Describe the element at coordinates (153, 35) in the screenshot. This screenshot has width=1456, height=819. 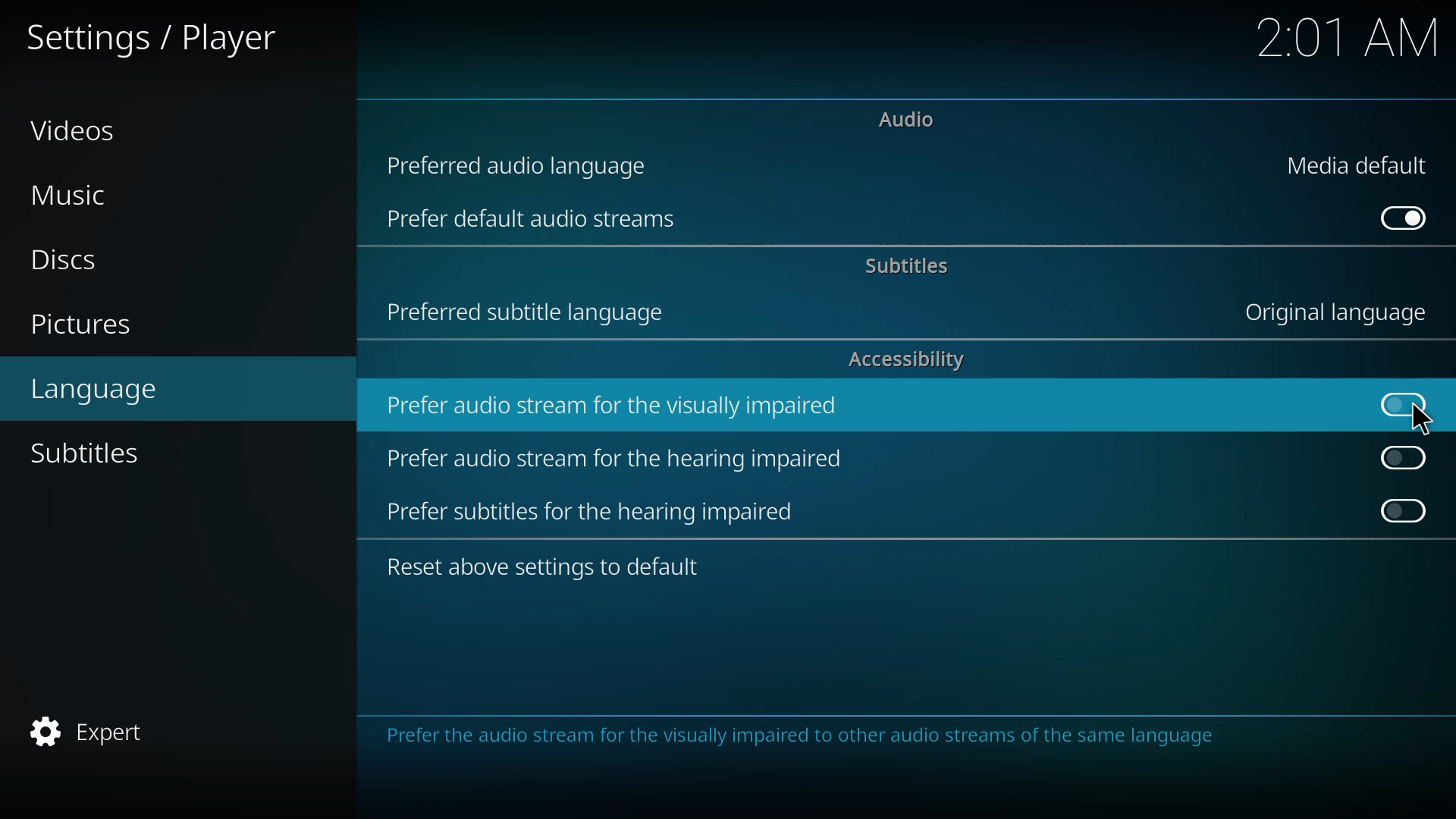
I see `settings player` at that location.